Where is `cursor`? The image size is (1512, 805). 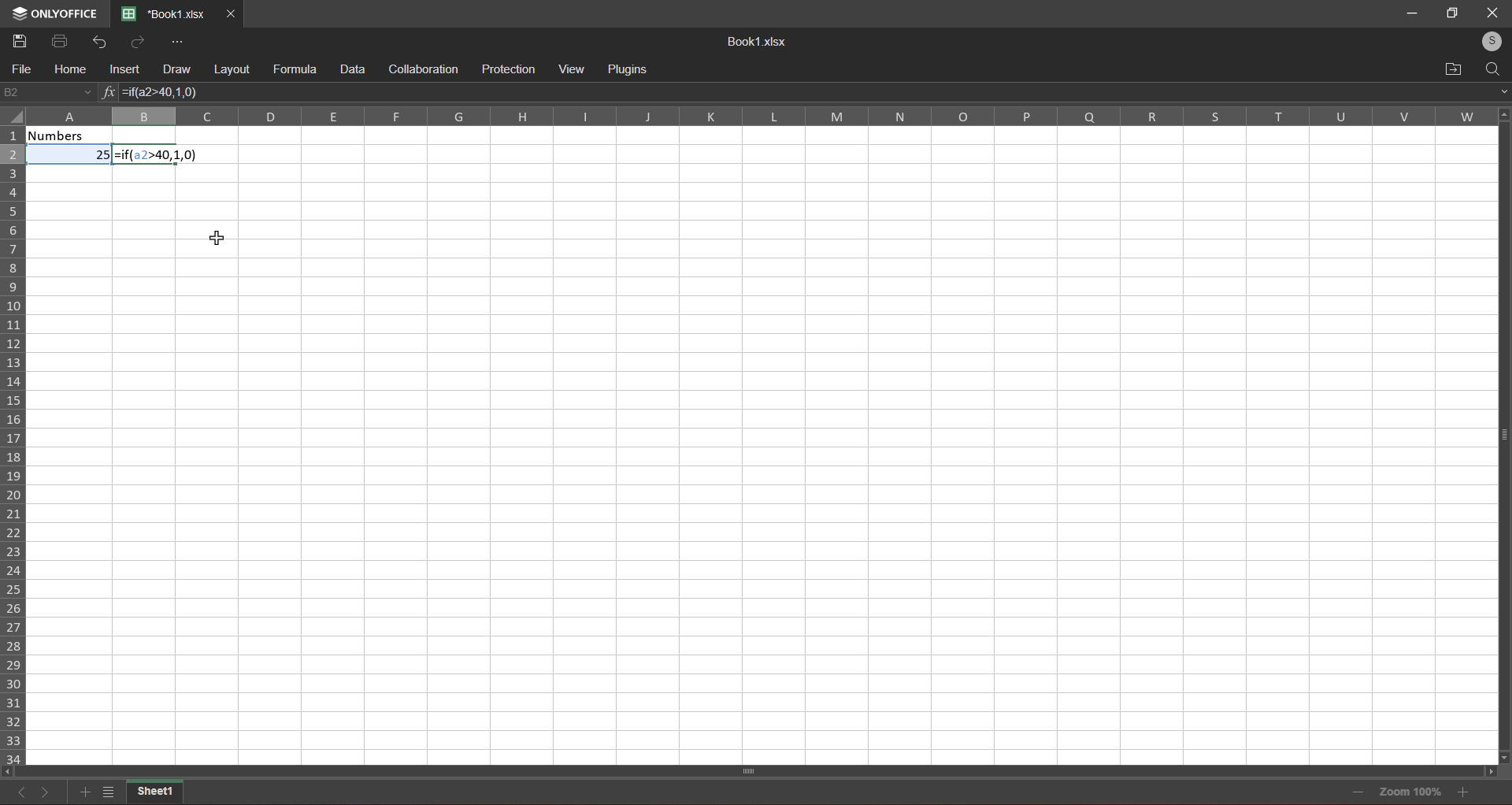 cursor is located at coordinates (217, 234).